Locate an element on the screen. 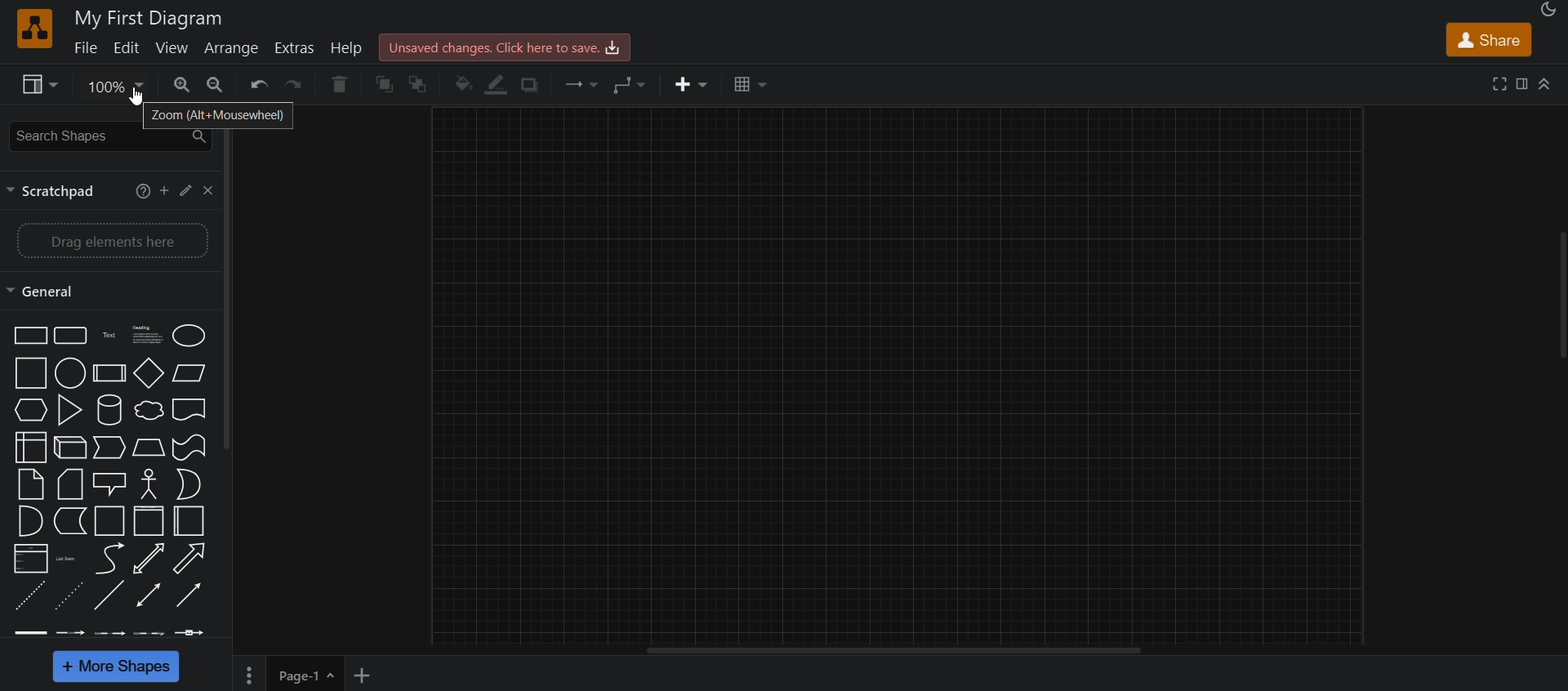 Image resolution: width=1568 pixels, height=691 pixels. scroll is located at coordinates (1557, 283).